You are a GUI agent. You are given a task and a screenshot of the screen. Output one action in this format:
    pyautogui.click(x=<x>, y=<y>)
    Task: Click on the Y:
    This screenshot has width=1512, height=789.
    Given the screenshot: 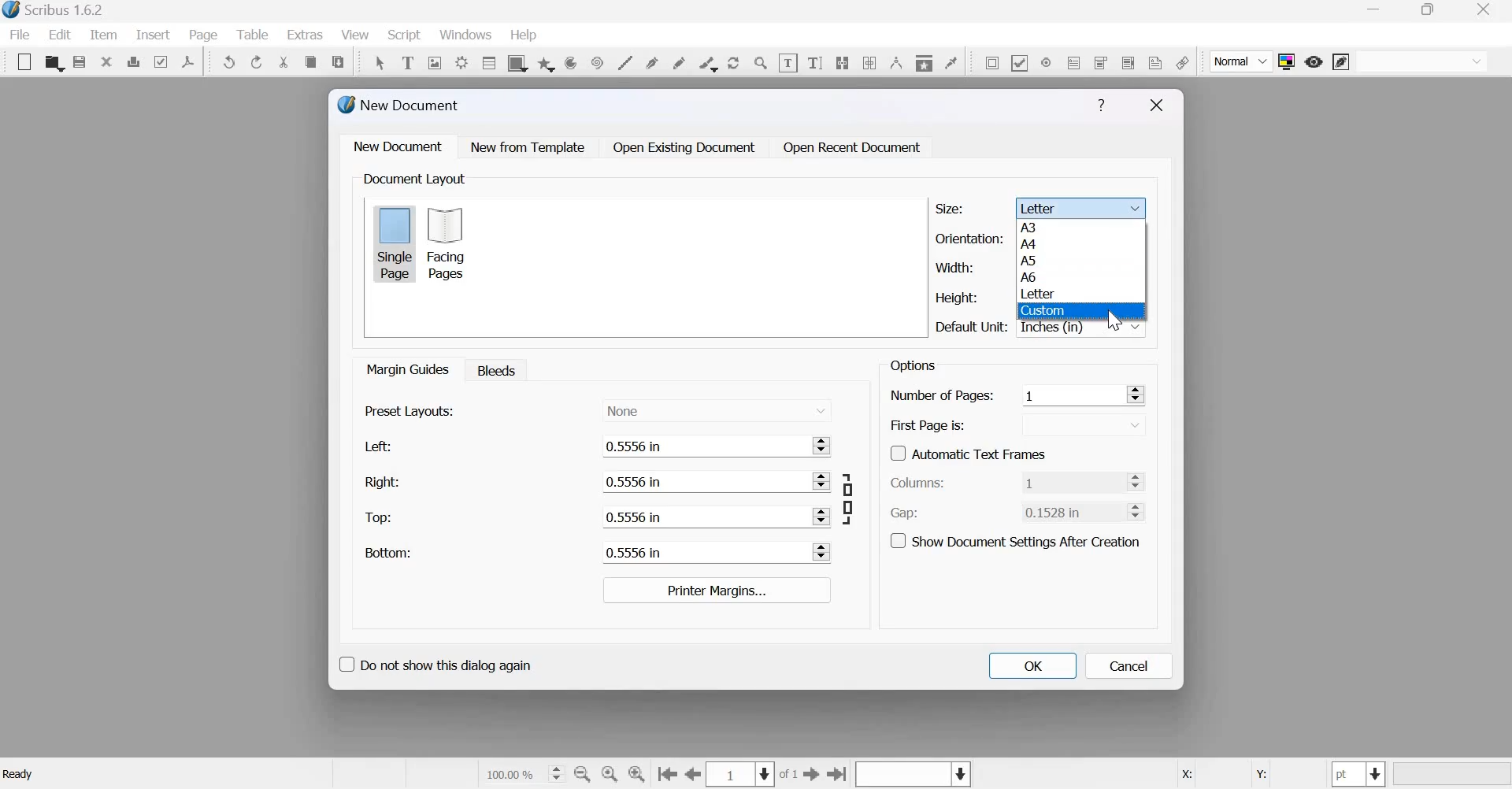 What is the action you would take?
    pyautogui.click(x=1258, y=775)
    